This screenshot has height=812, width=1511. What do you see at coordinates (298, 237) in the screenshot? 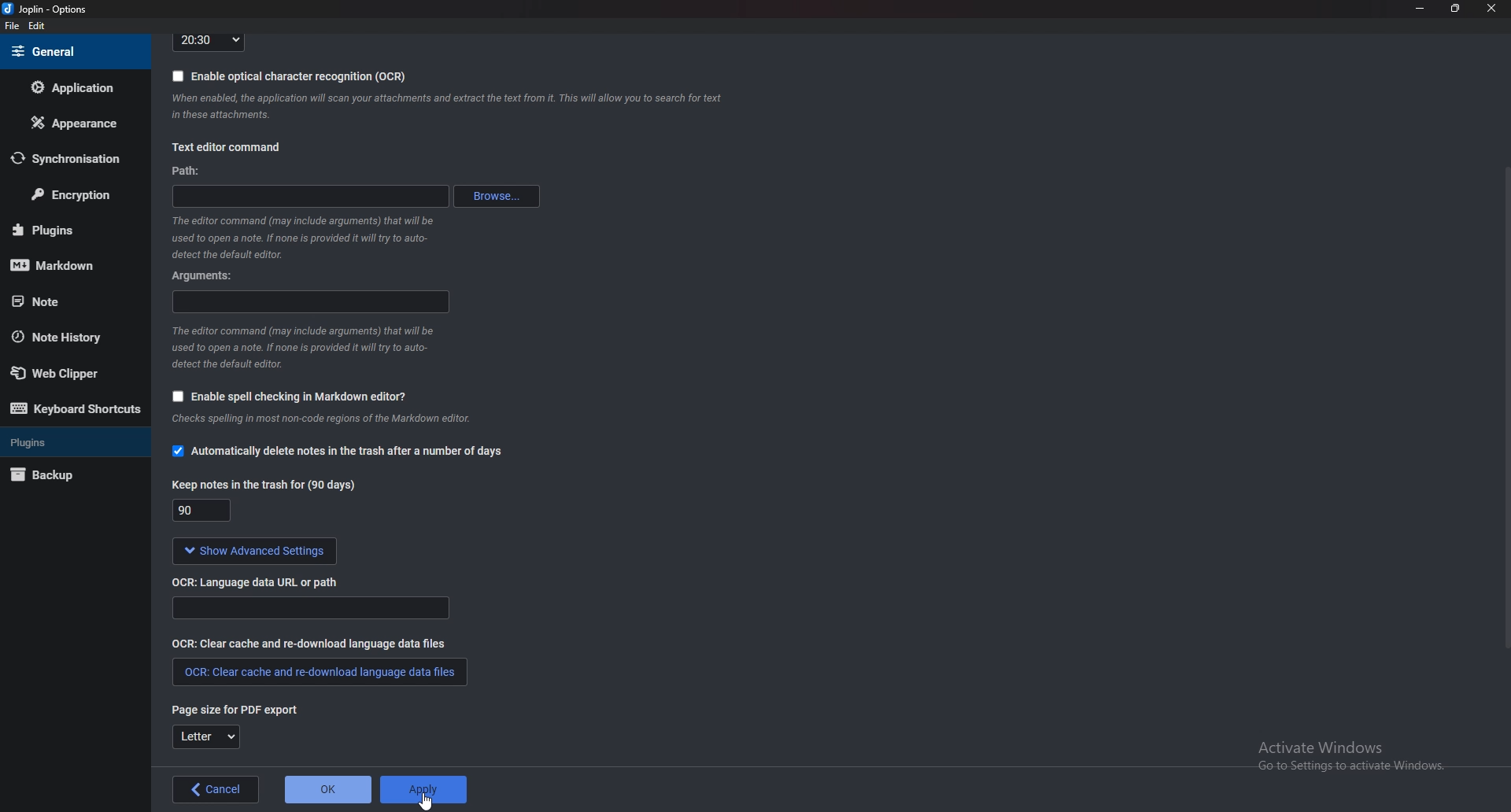
I see `Info on editor command` at bounding box center [298, 237].